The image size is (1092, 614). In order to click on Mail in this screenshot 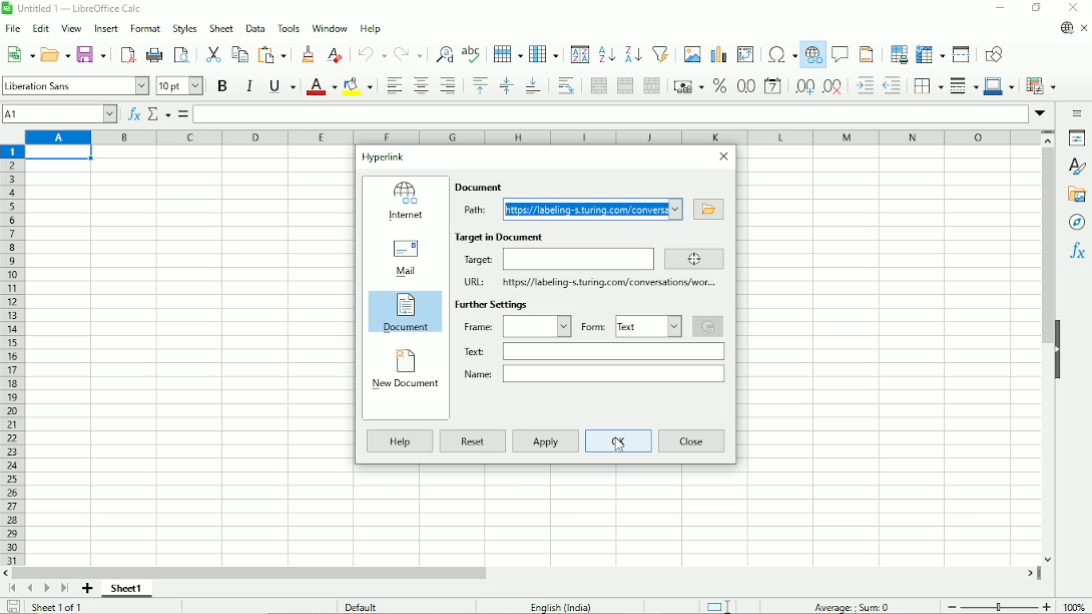, I will do `click(404, 257)`.